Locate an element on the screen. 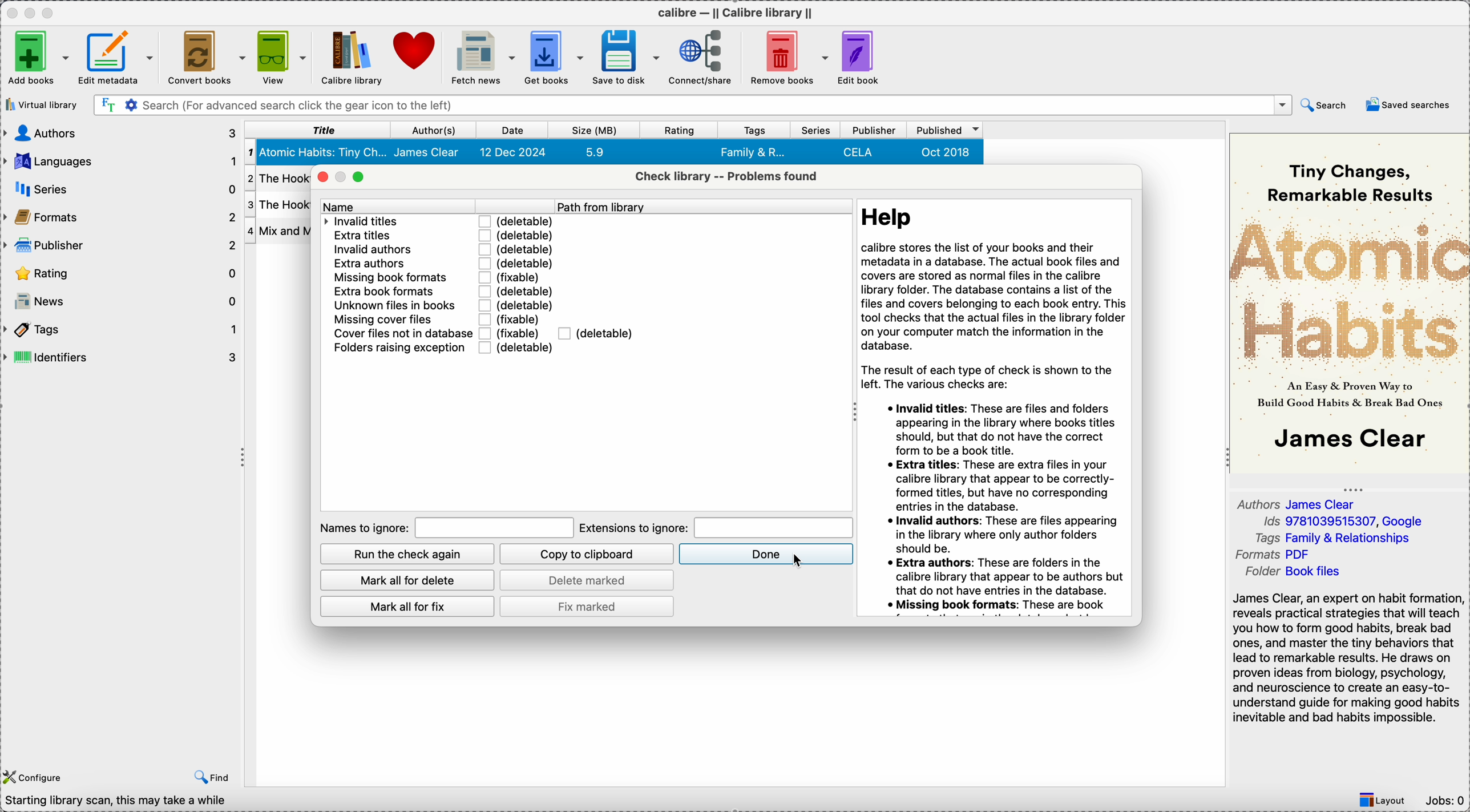  series is located at coordinates (814, 130).